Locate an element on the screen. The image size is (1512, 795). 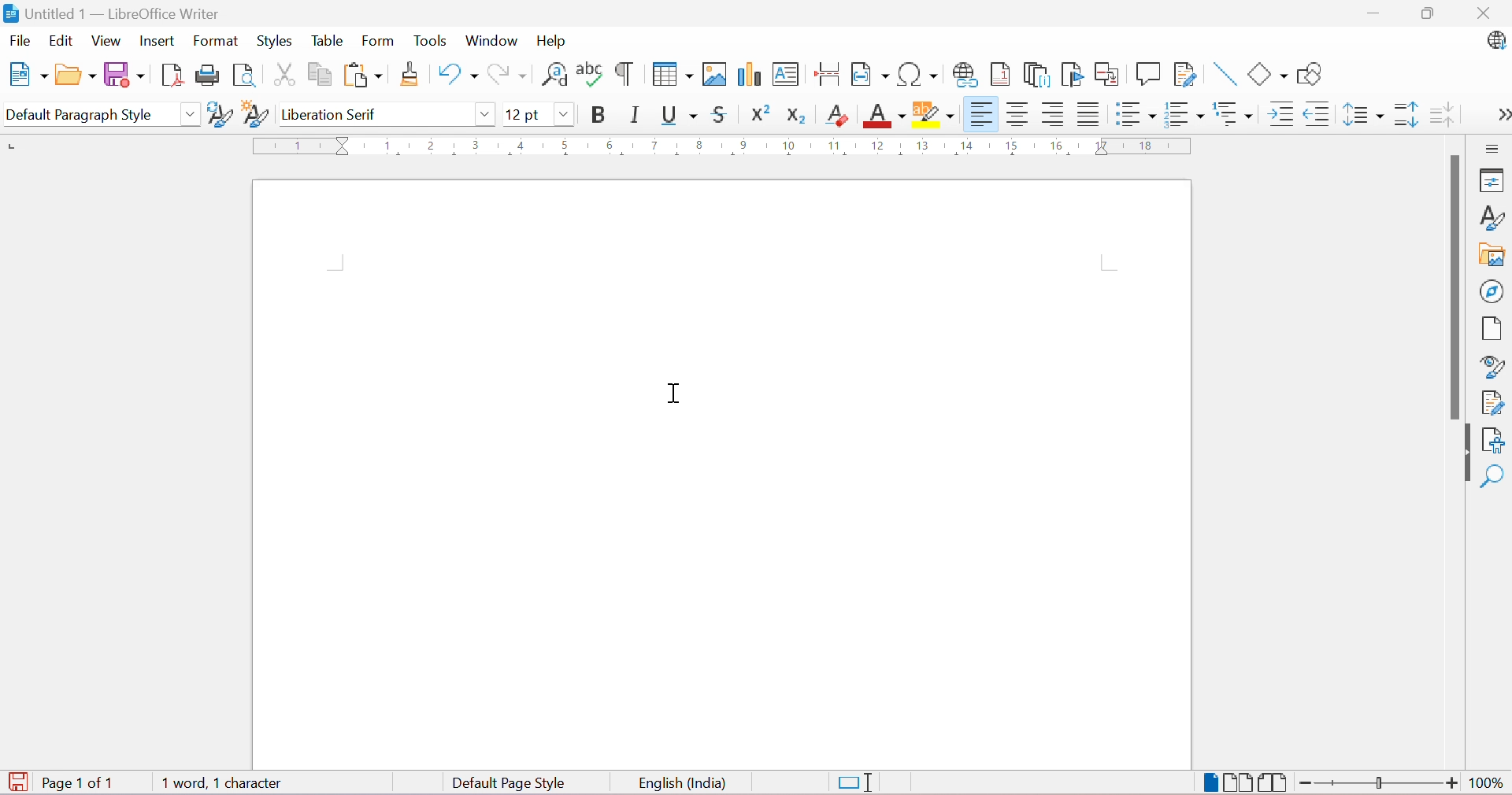
12 pt is located at coordinates (522, 113).